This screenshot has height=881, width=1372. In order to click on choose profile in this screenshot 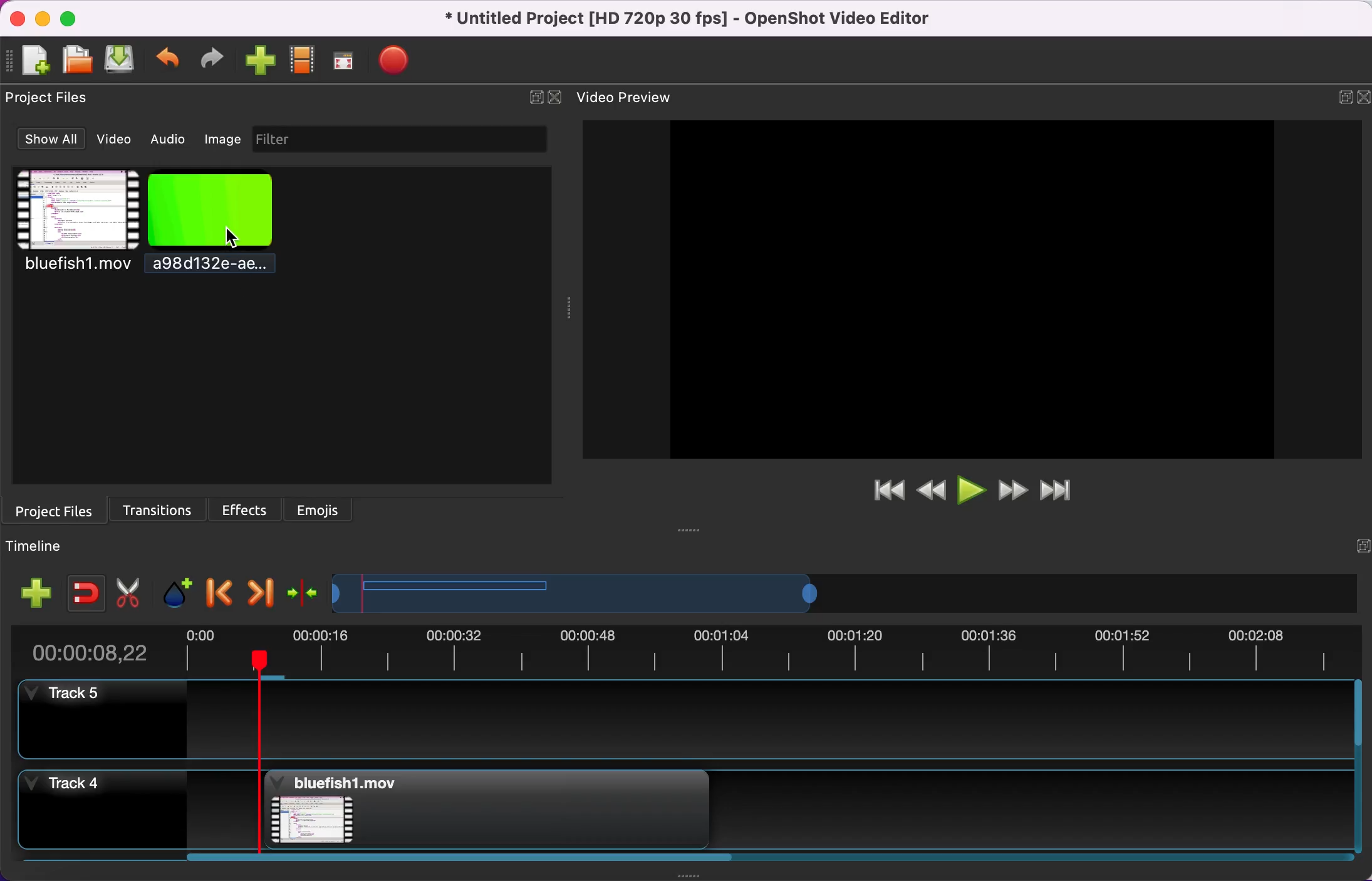, I will do `click(301, 63)`.